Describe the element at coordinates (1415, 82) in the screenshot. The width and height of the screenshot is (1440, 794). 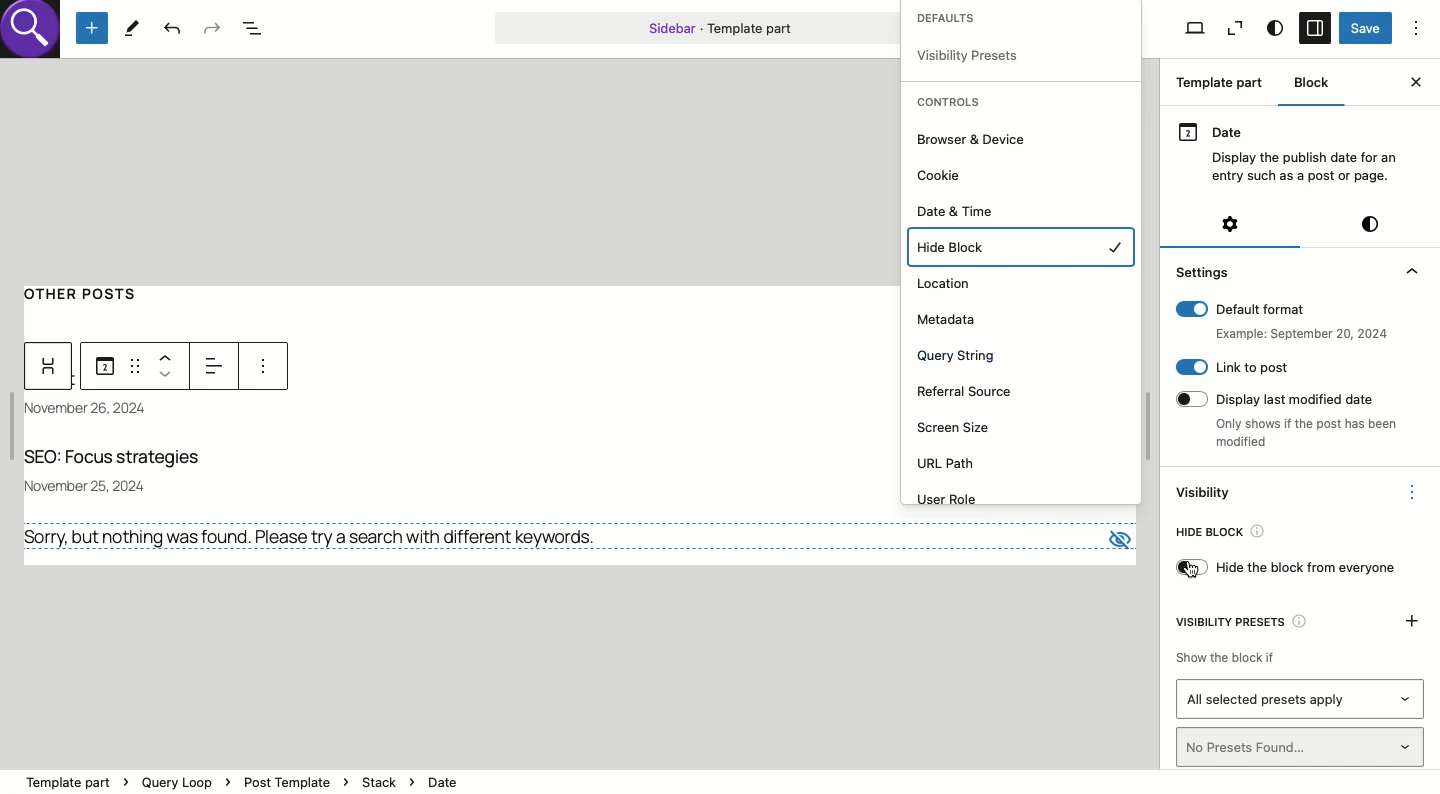
I see `Close` at that location.